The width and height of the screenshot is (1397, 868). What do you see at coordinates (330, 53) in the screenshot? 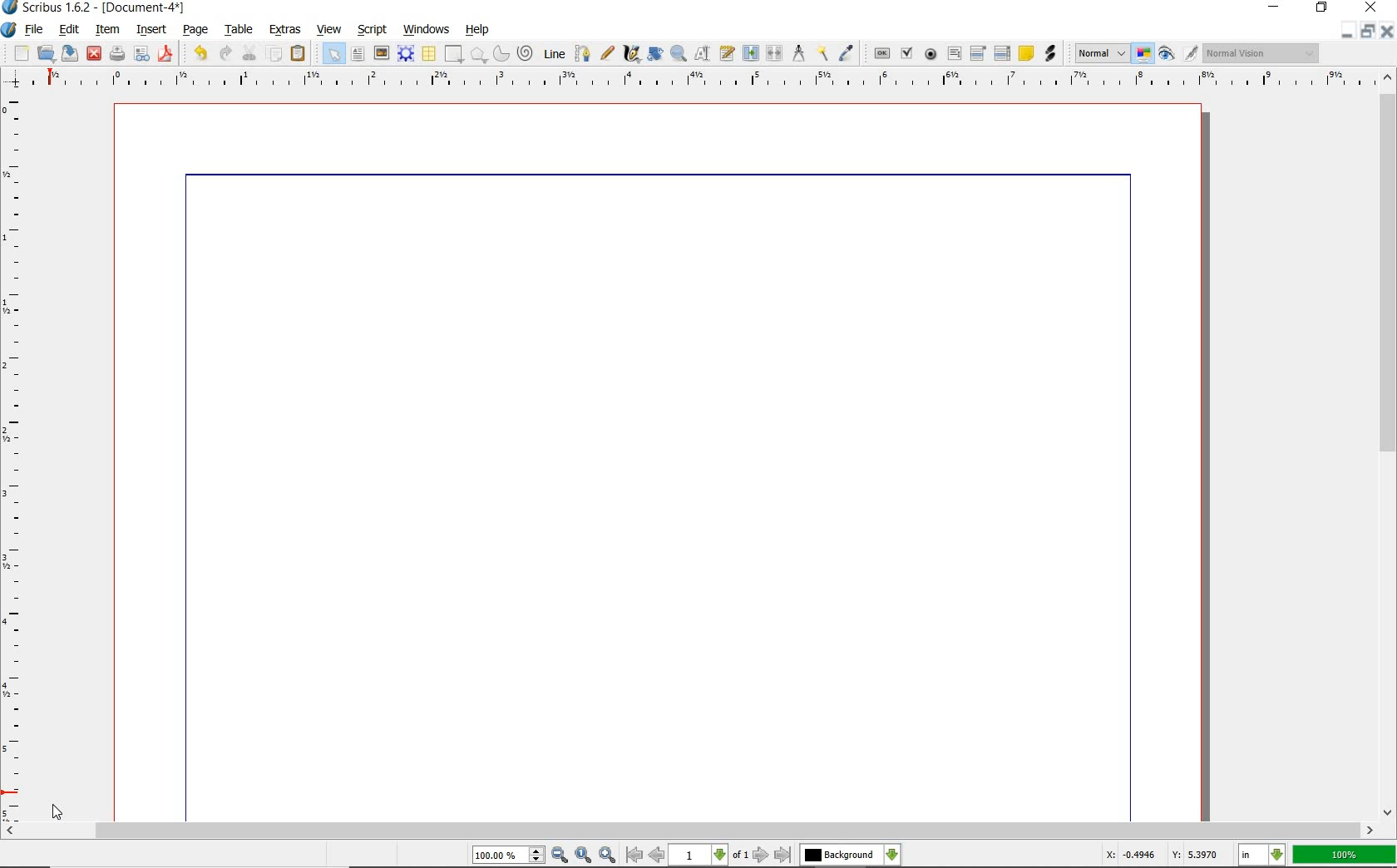
I see `select` at bounding box center [330, 53].